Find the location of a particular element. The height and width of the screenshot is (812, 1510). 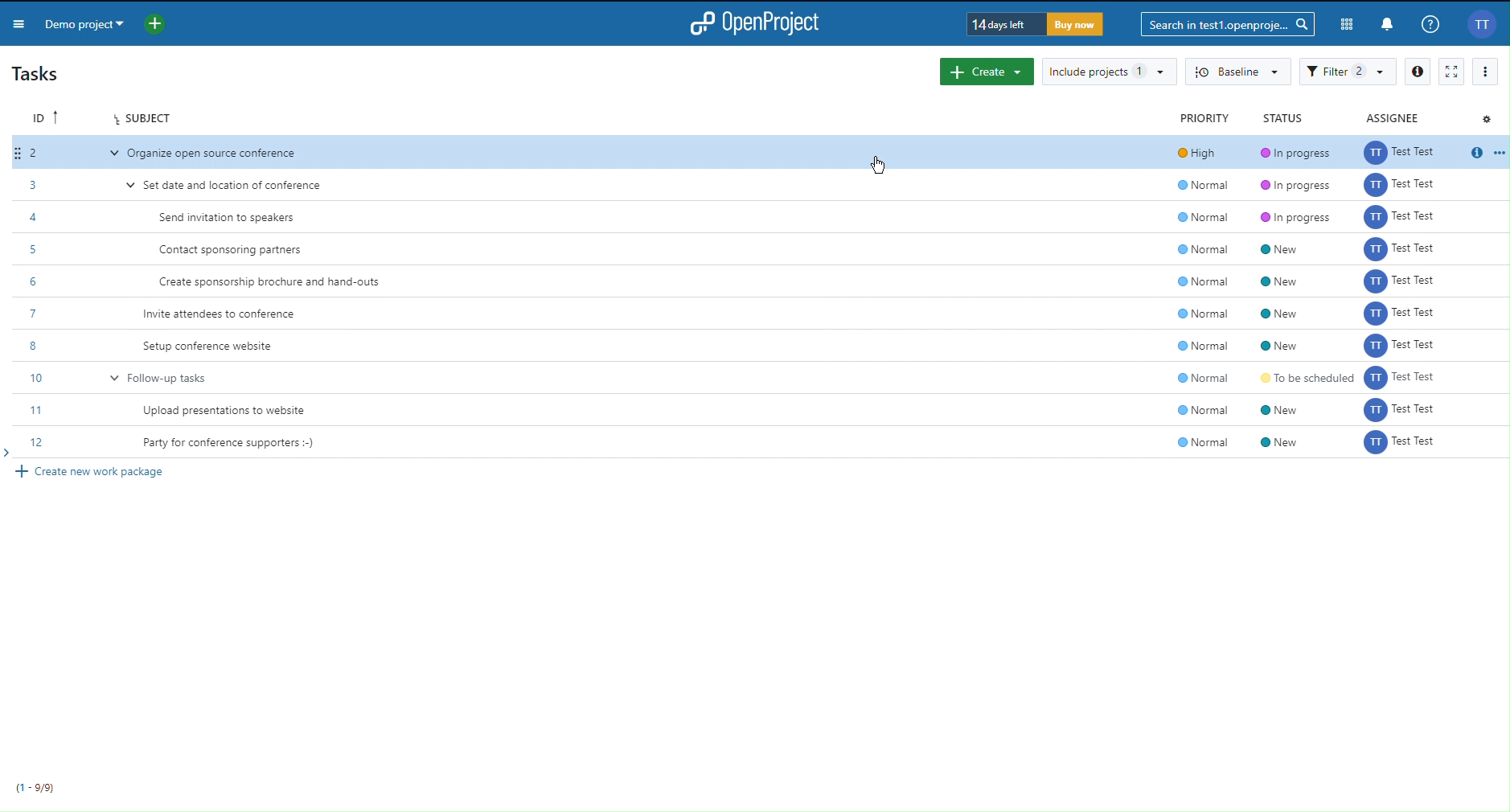

More is located at coordinates (1486, 73).